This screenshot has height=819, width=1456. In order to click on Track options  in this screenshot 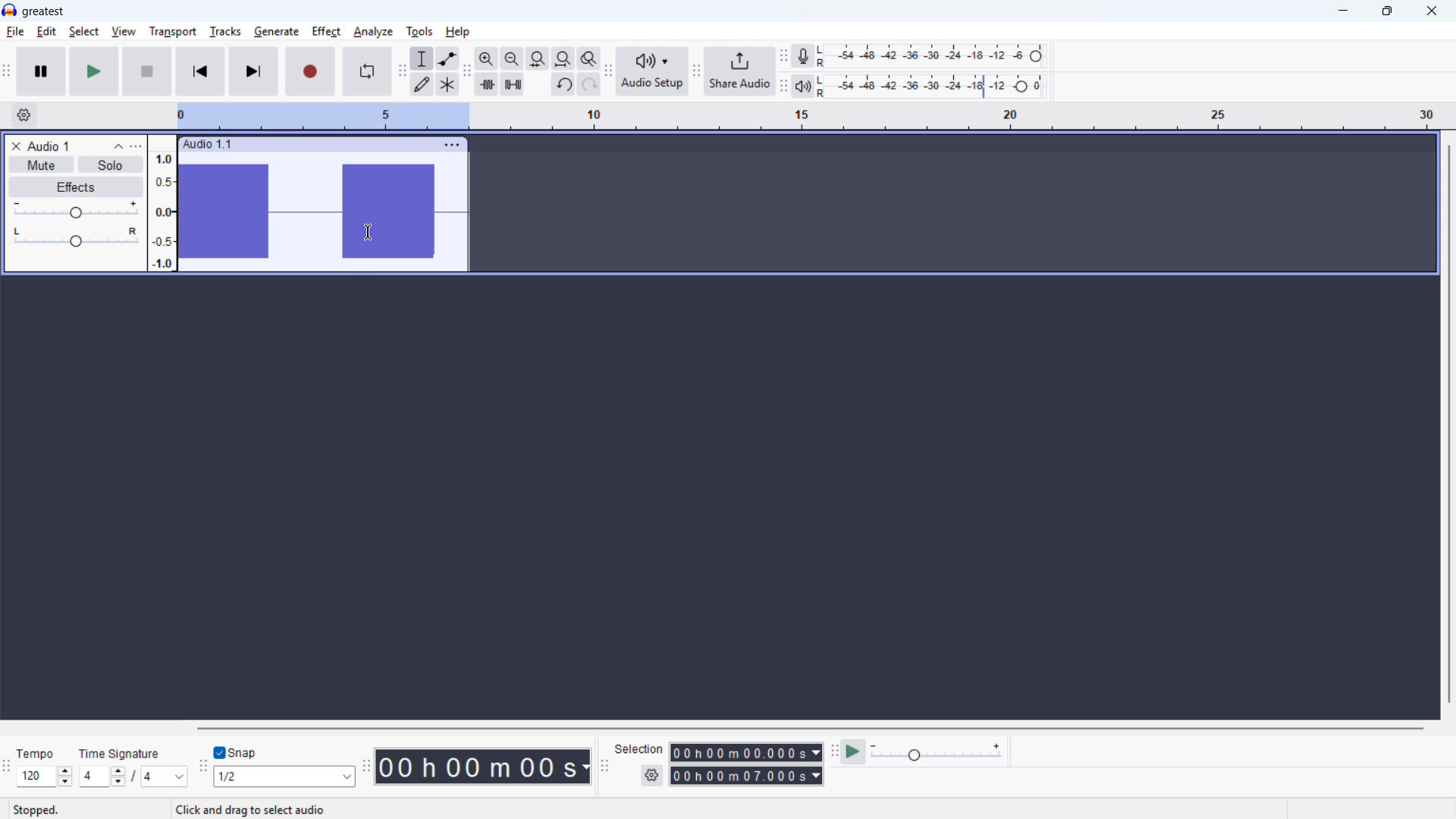, I will do `click(453, 145)`.